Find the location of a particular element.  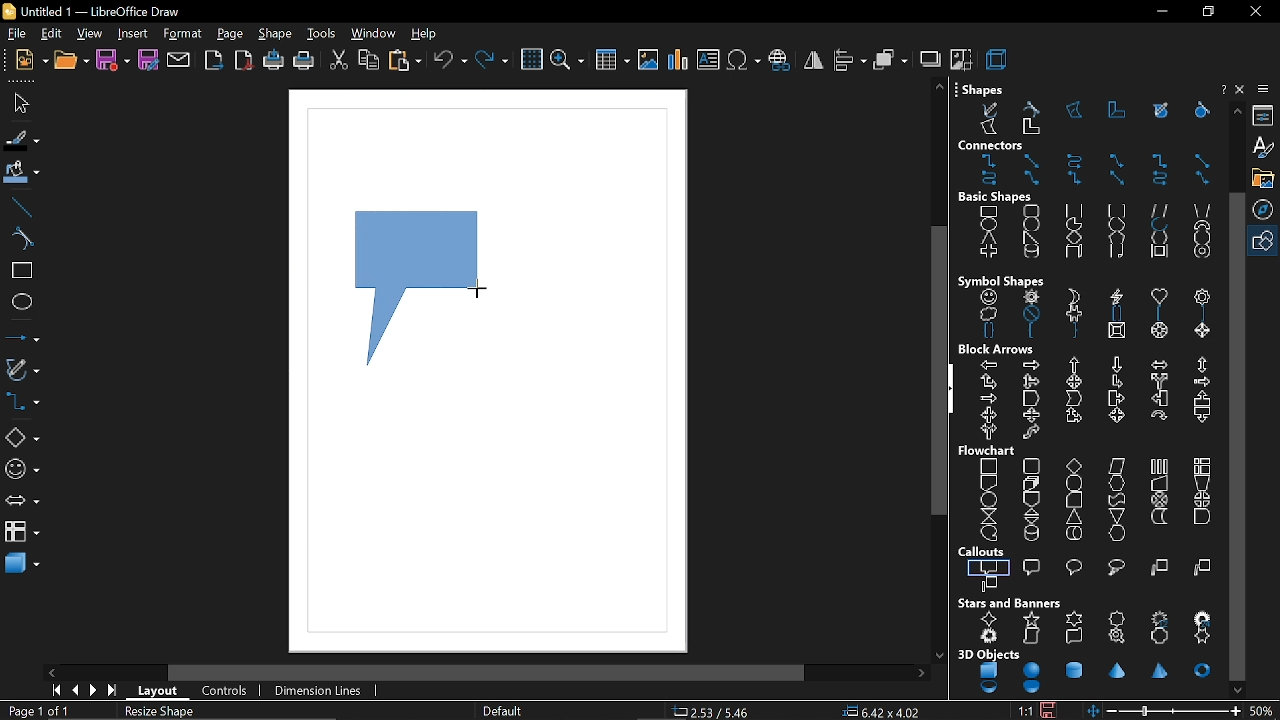

octagon bevel is located at coordinates (1161, 332).